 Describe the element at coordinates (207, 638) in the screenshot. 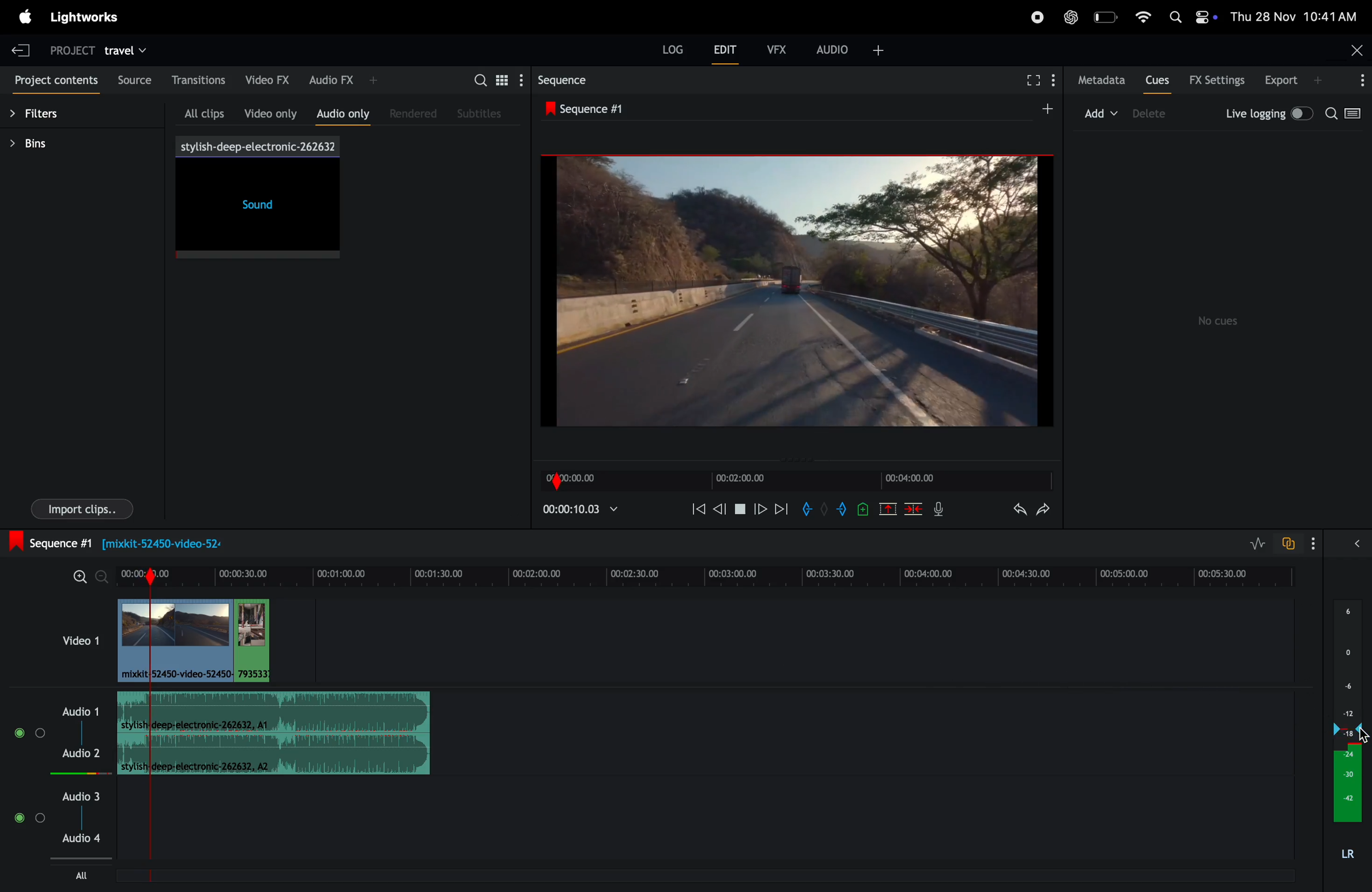

I see `audio clips` at that location.